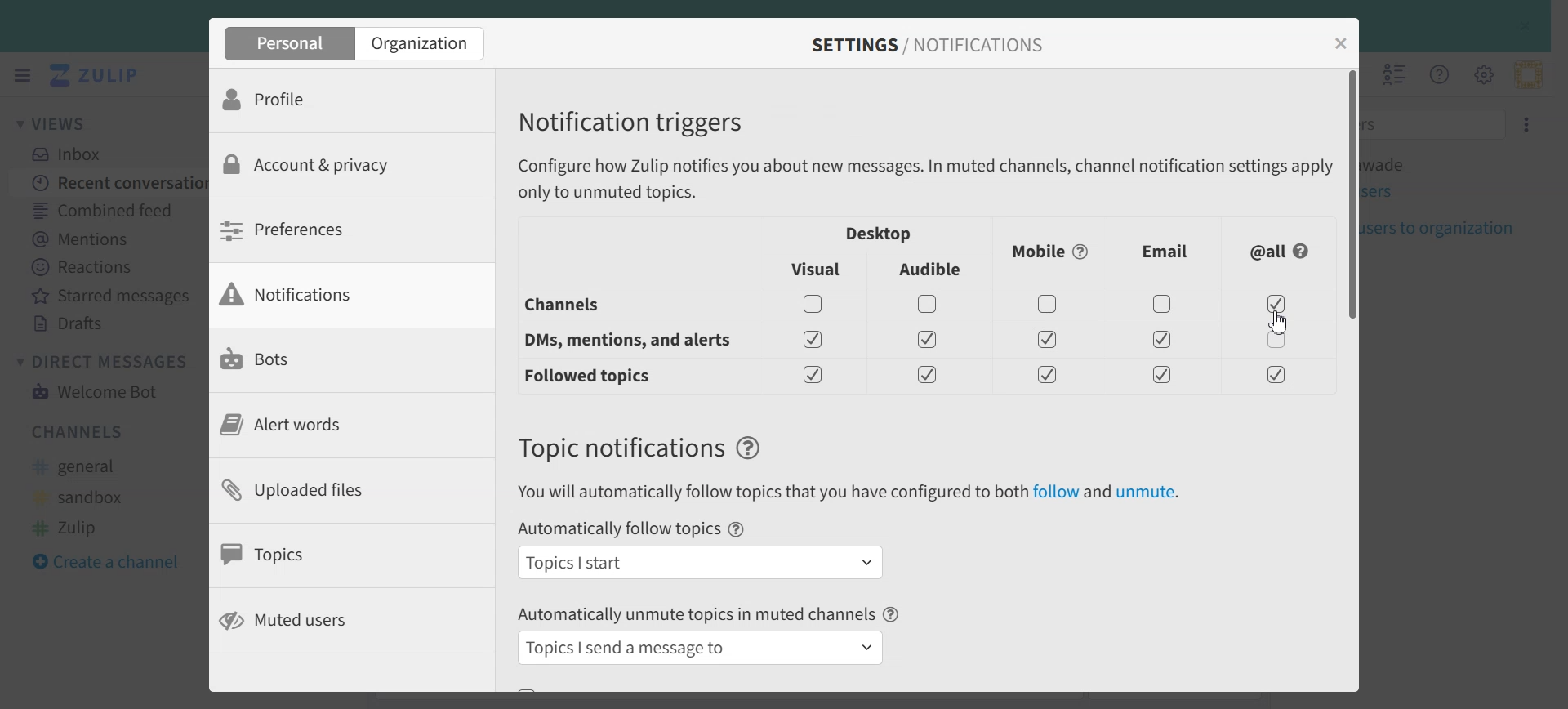  I want to click on Logo, so click(97, 75).